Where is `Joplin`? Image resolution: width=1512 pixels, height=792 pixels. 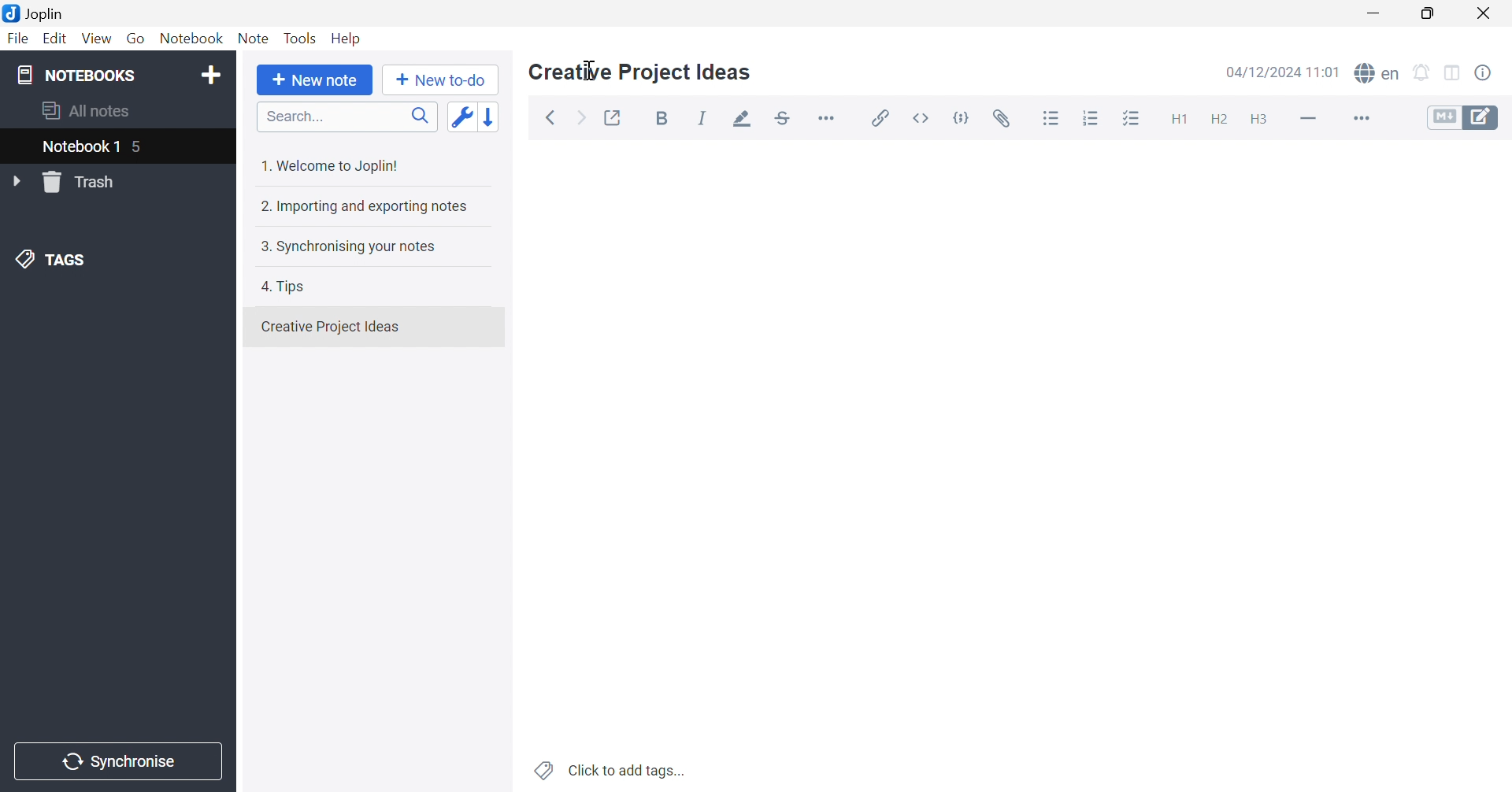
Joplin is located at coordinates (35, 13).